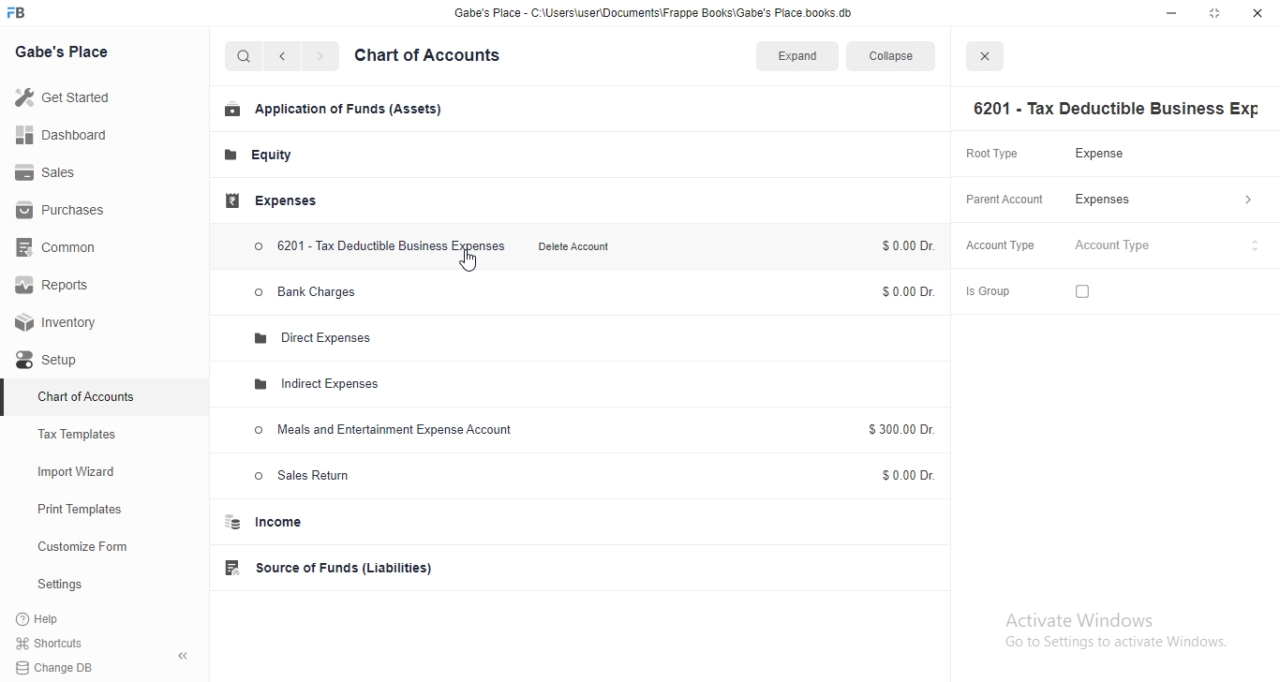  I want to click on Delete Account, so click(578, 247).